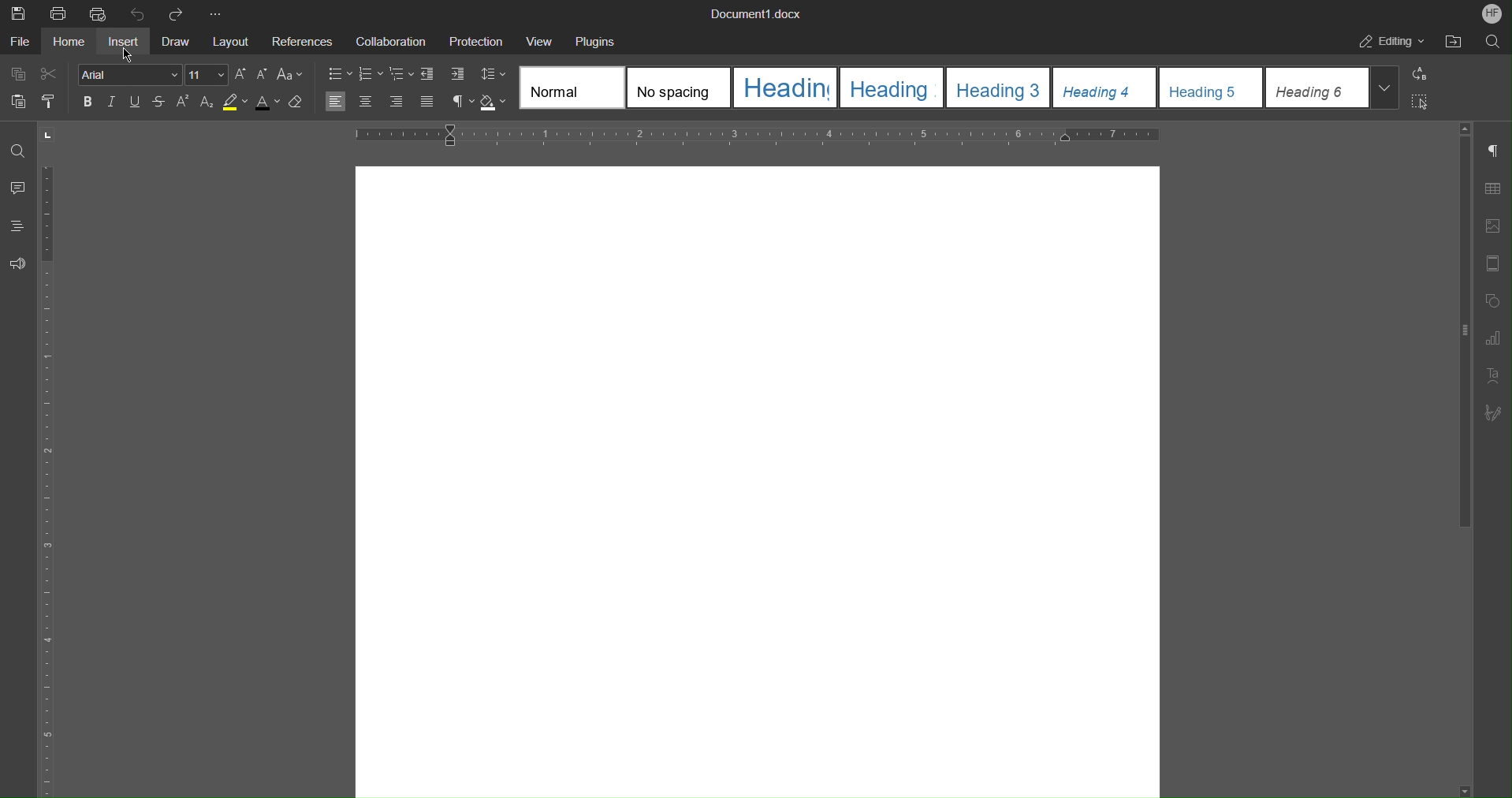  What do you see at coordinates (752, 134) in the screenshot?
I see `Horizontal ruler` at bounding box center [752, 134].